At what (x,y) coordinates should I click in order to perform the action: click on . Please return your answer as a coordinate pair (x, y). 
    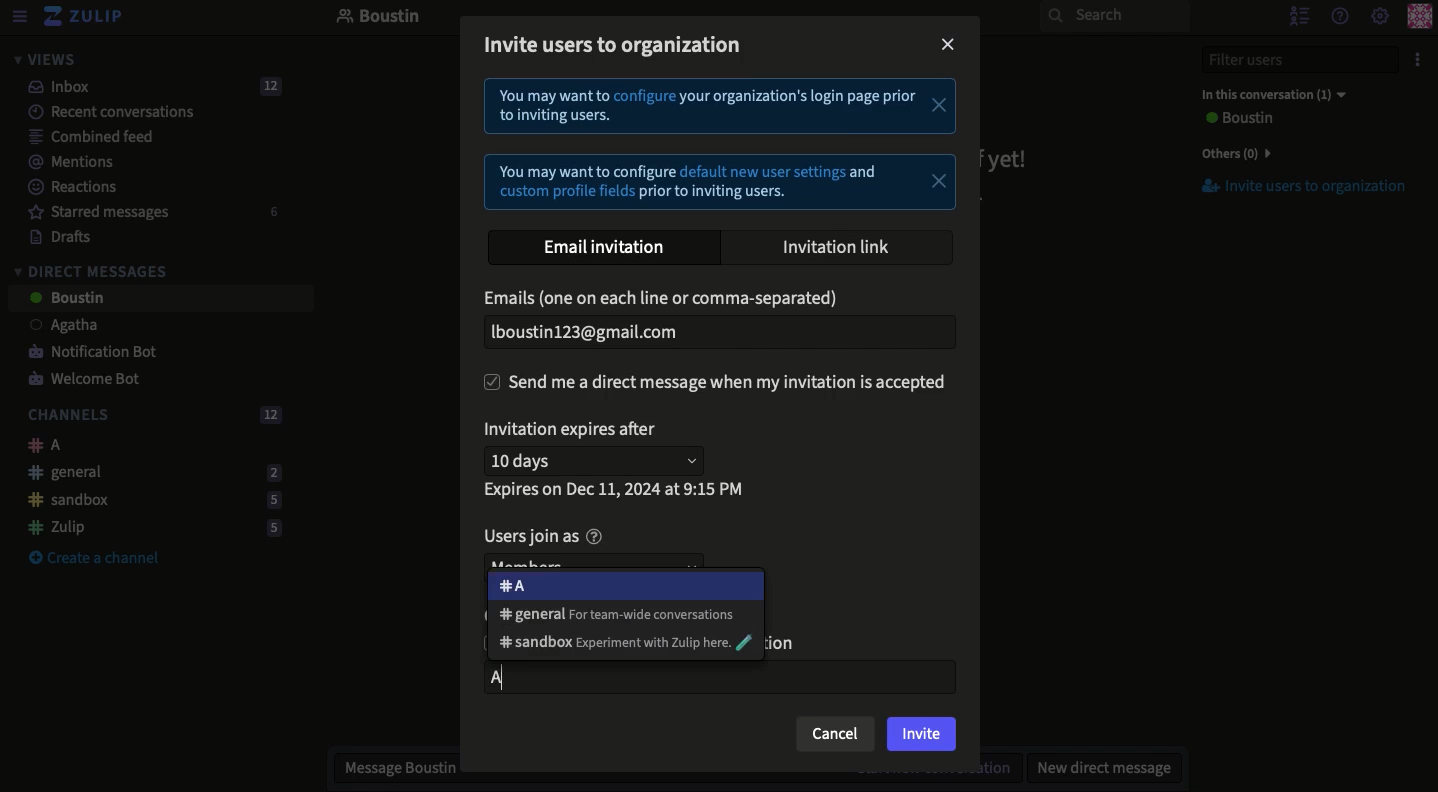
    Looking at the image, I should click on (948, 45).